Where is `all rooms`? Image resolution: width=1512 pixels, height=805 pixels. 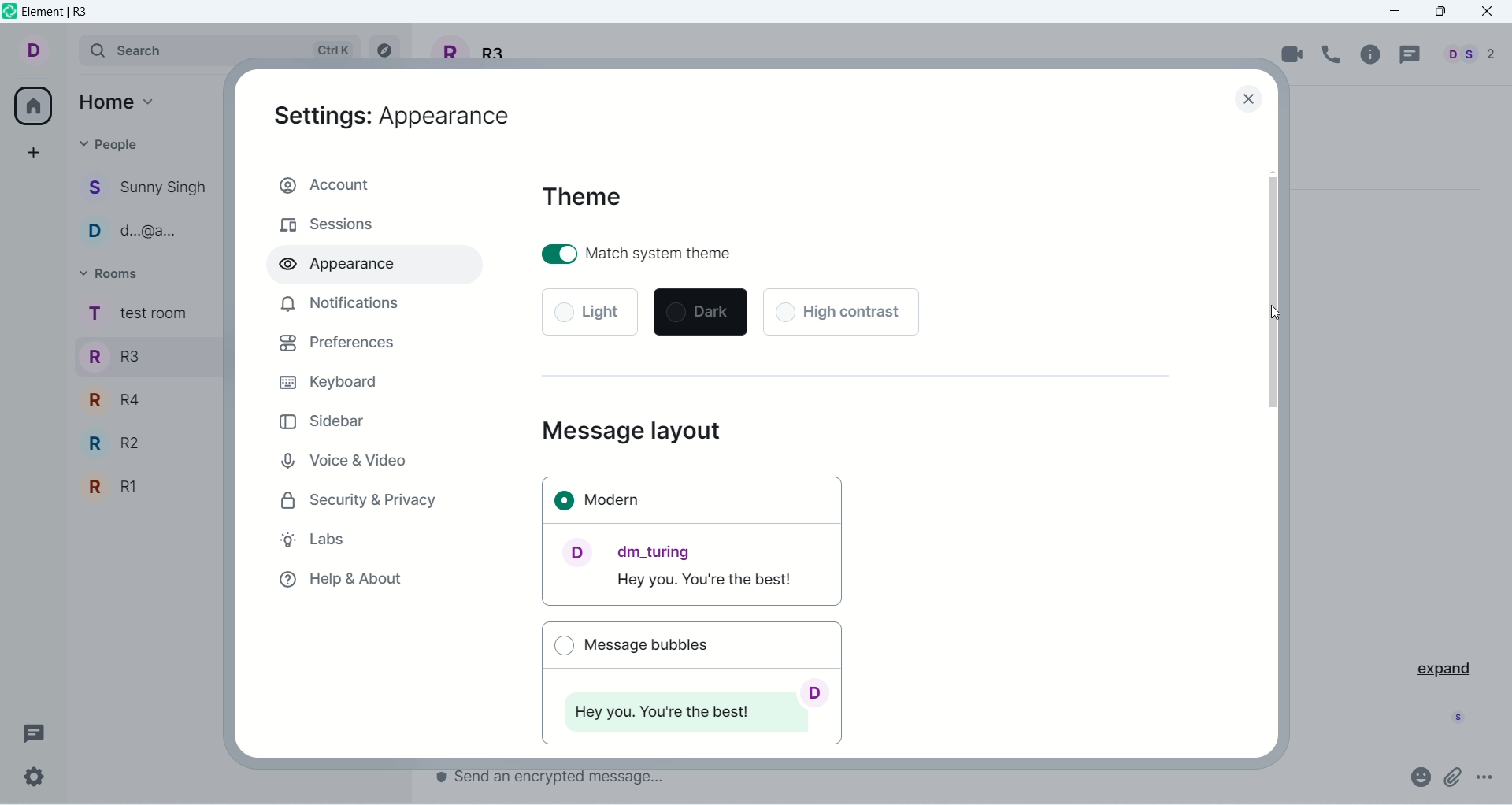
all rooms is located at coordinates (29, 106).